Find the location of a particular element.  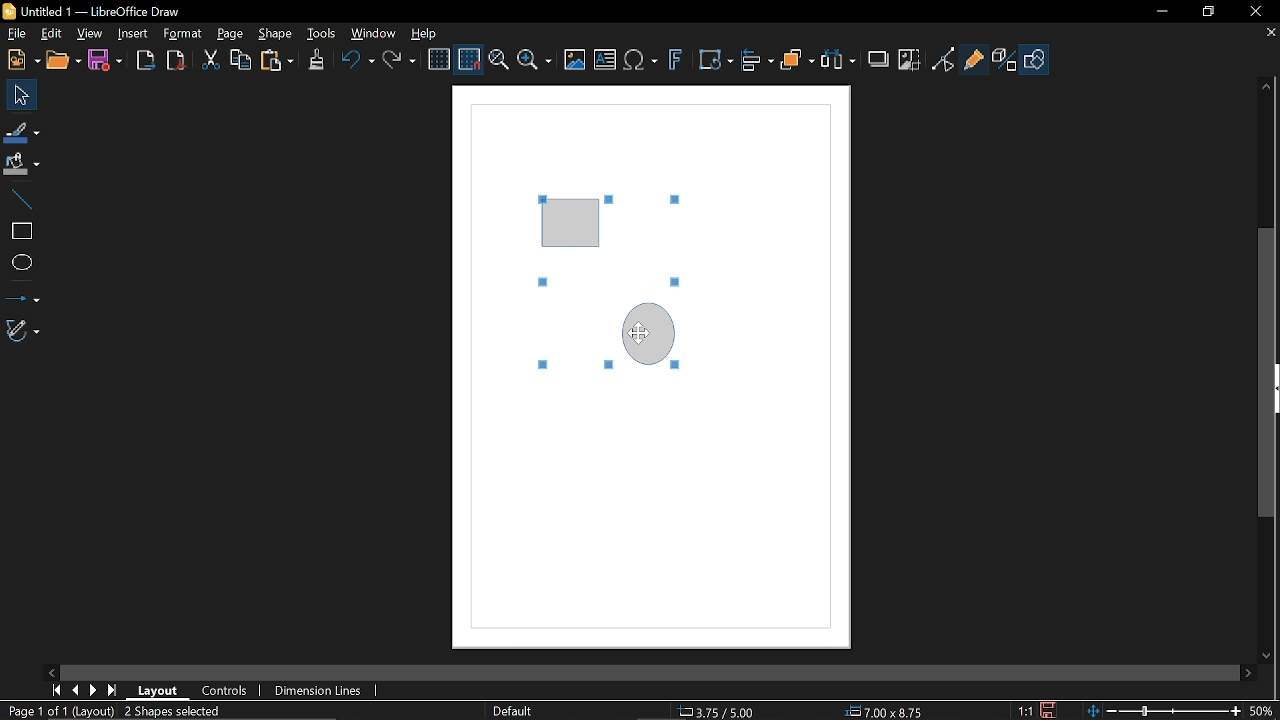

Selected diagram is located at coordinates (592, 272).